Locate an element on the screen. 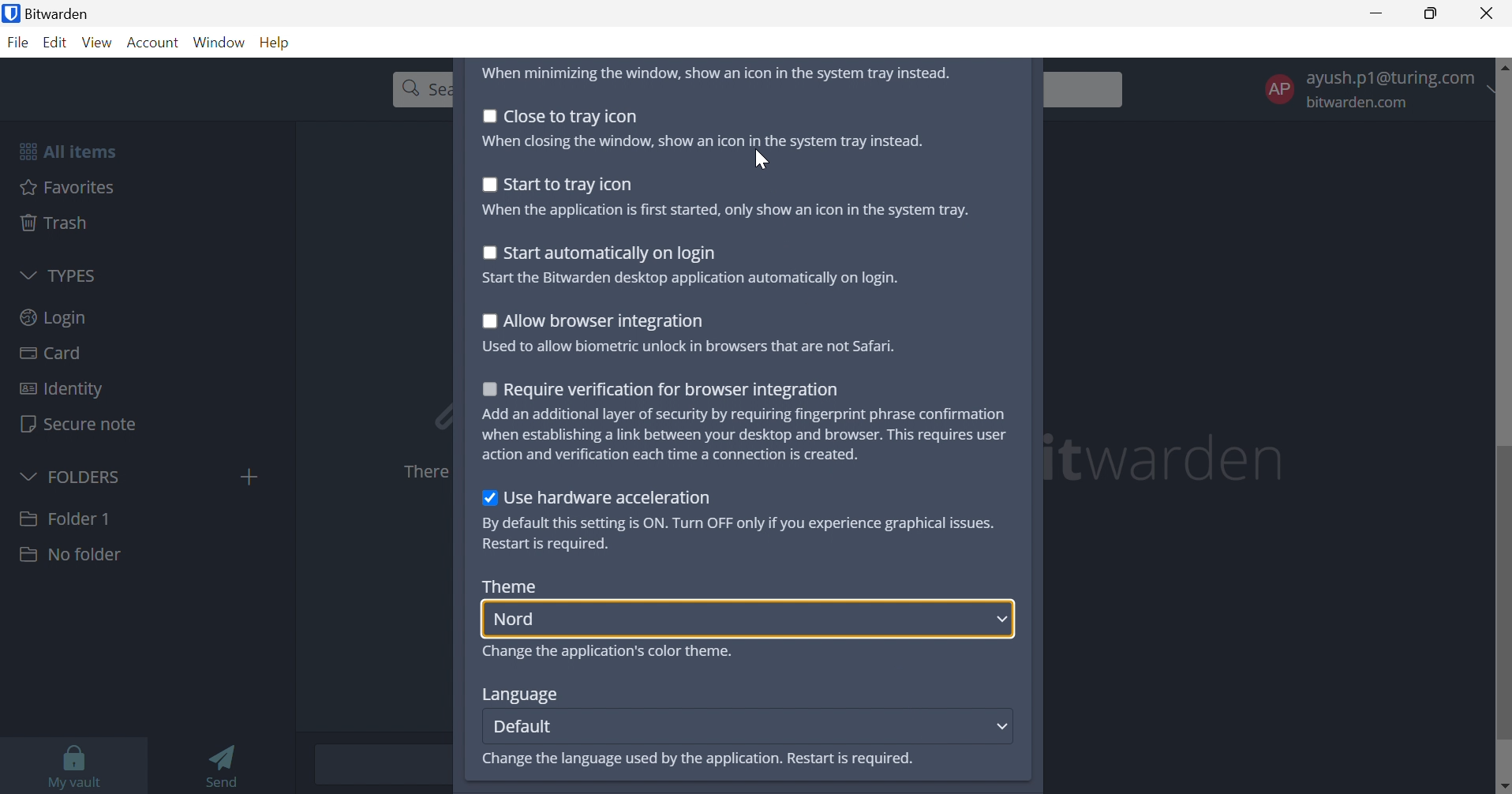 This screenshot has width=1512, height=794. When the application is first started, only show an icon in the system tray. is located at coordinates (724, 211).